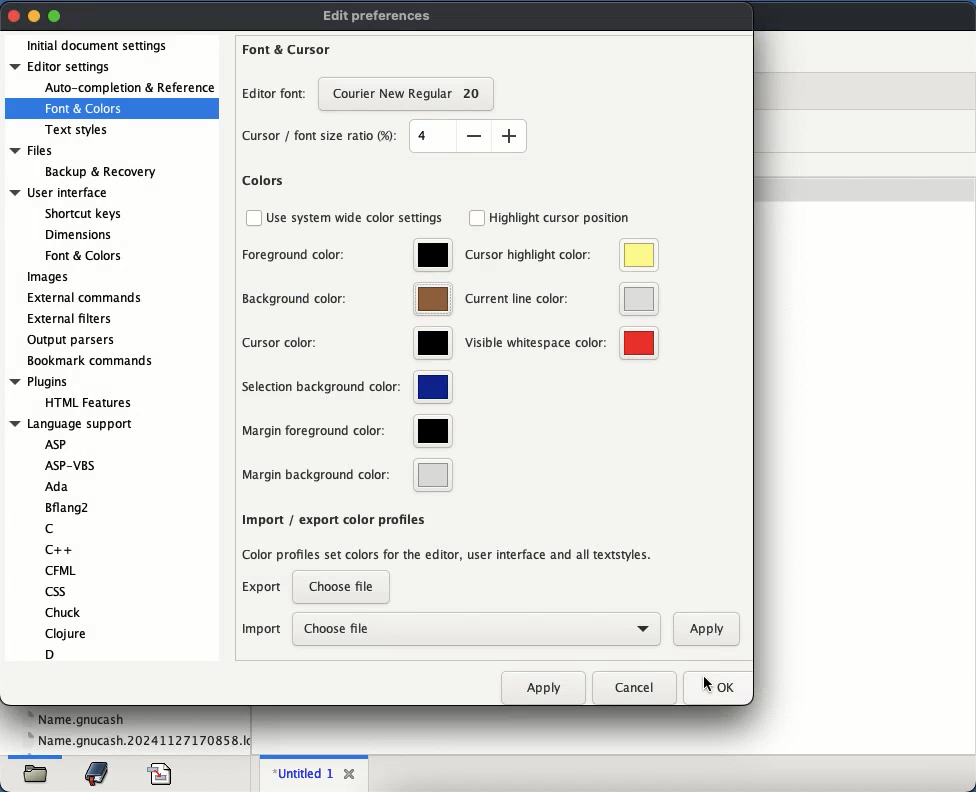  I want to click on Font & Colors, so click(82, 257).